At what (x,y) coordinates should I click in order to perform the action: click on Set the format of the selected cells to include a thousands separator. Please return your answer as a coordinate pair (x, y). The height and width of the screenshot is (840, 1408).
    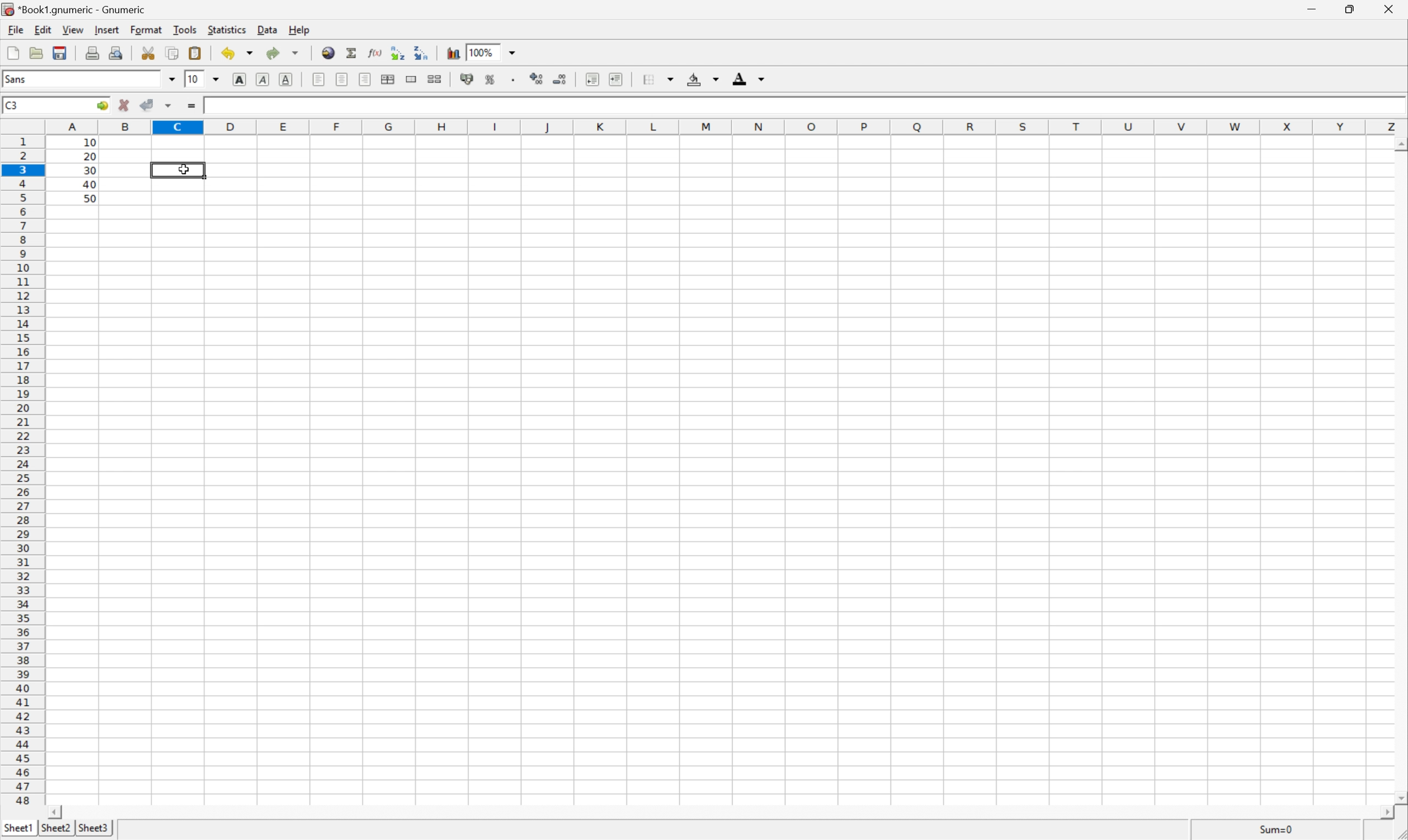
    Looking at the image, I should click on (513, 78).